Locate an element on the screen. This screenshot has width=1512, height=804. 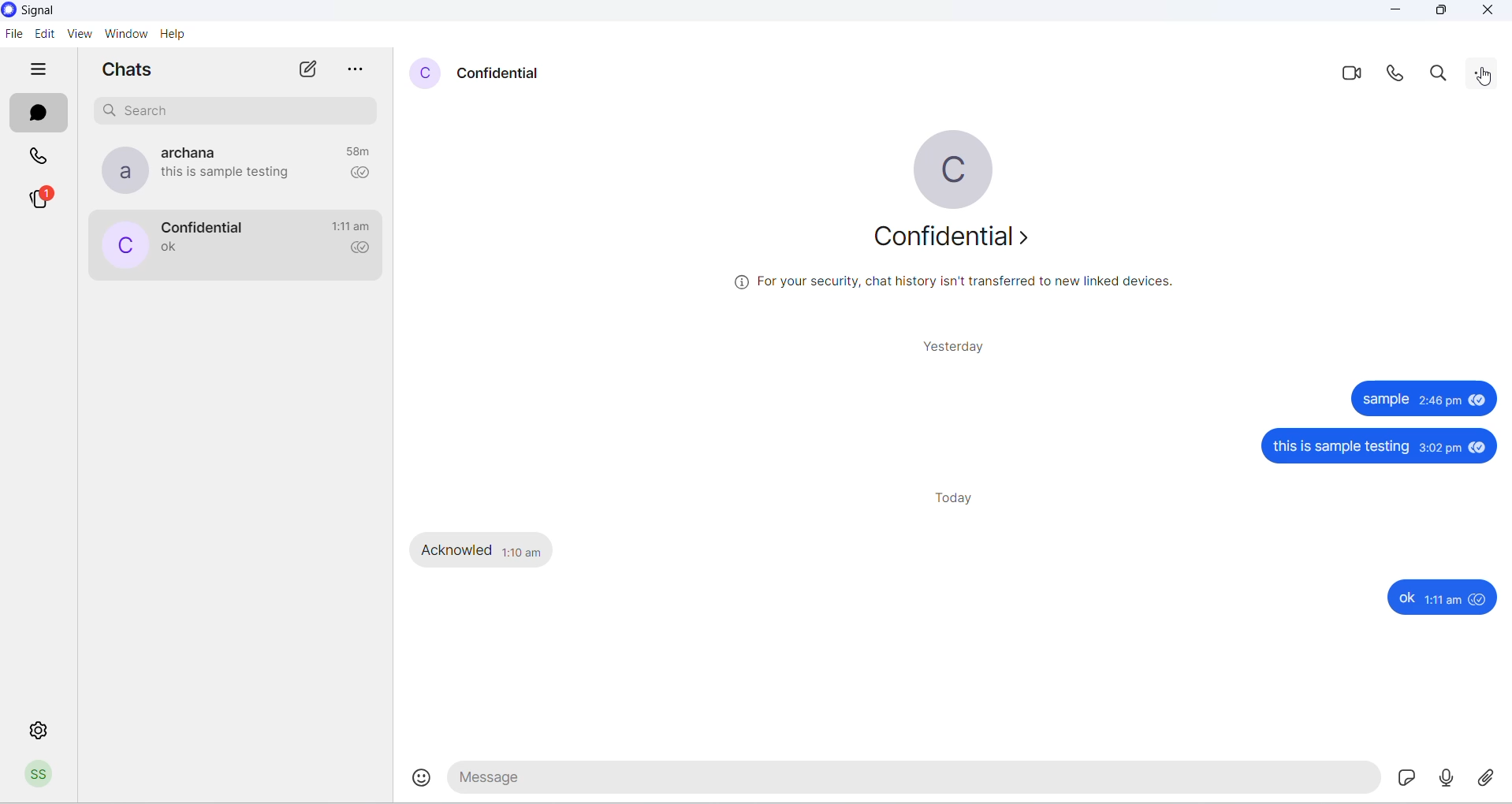
help is located at coordinates (173, 33).